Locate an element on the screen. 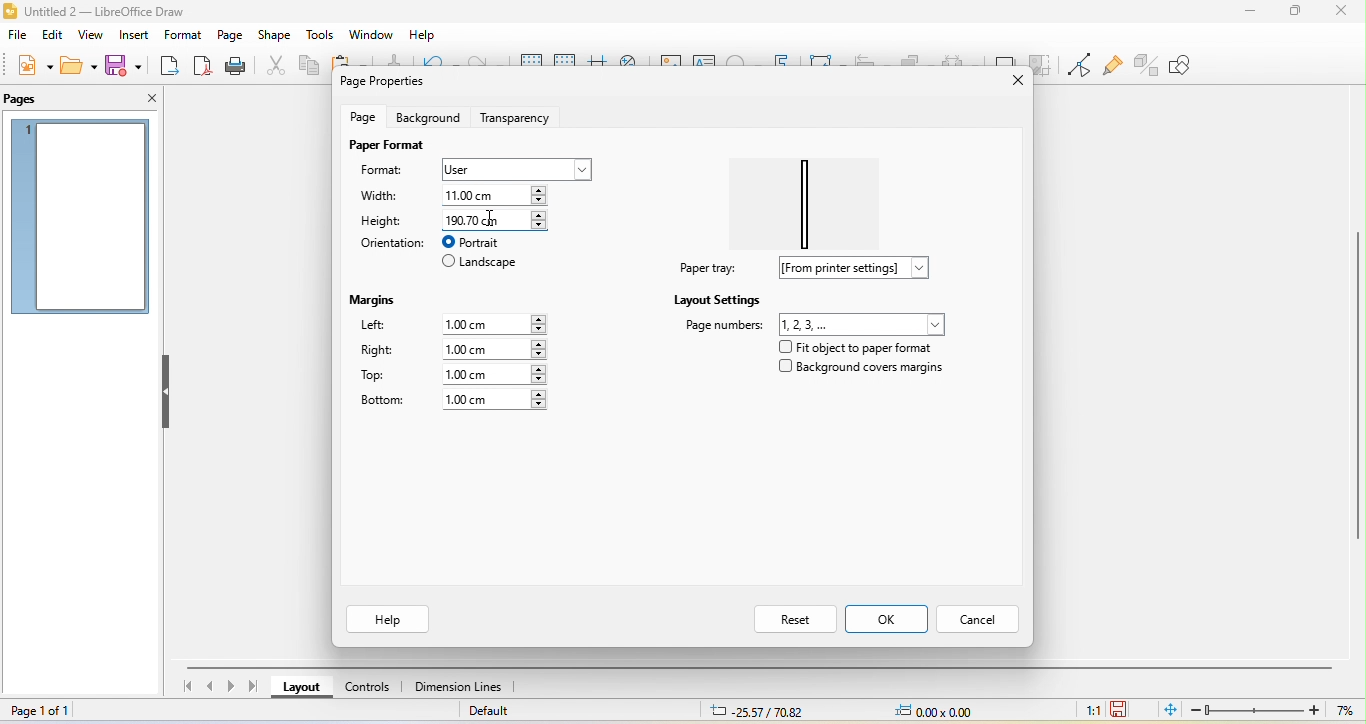 The width and height of the screenshot is (1366, 724). default is located at coordinates (501, 713).